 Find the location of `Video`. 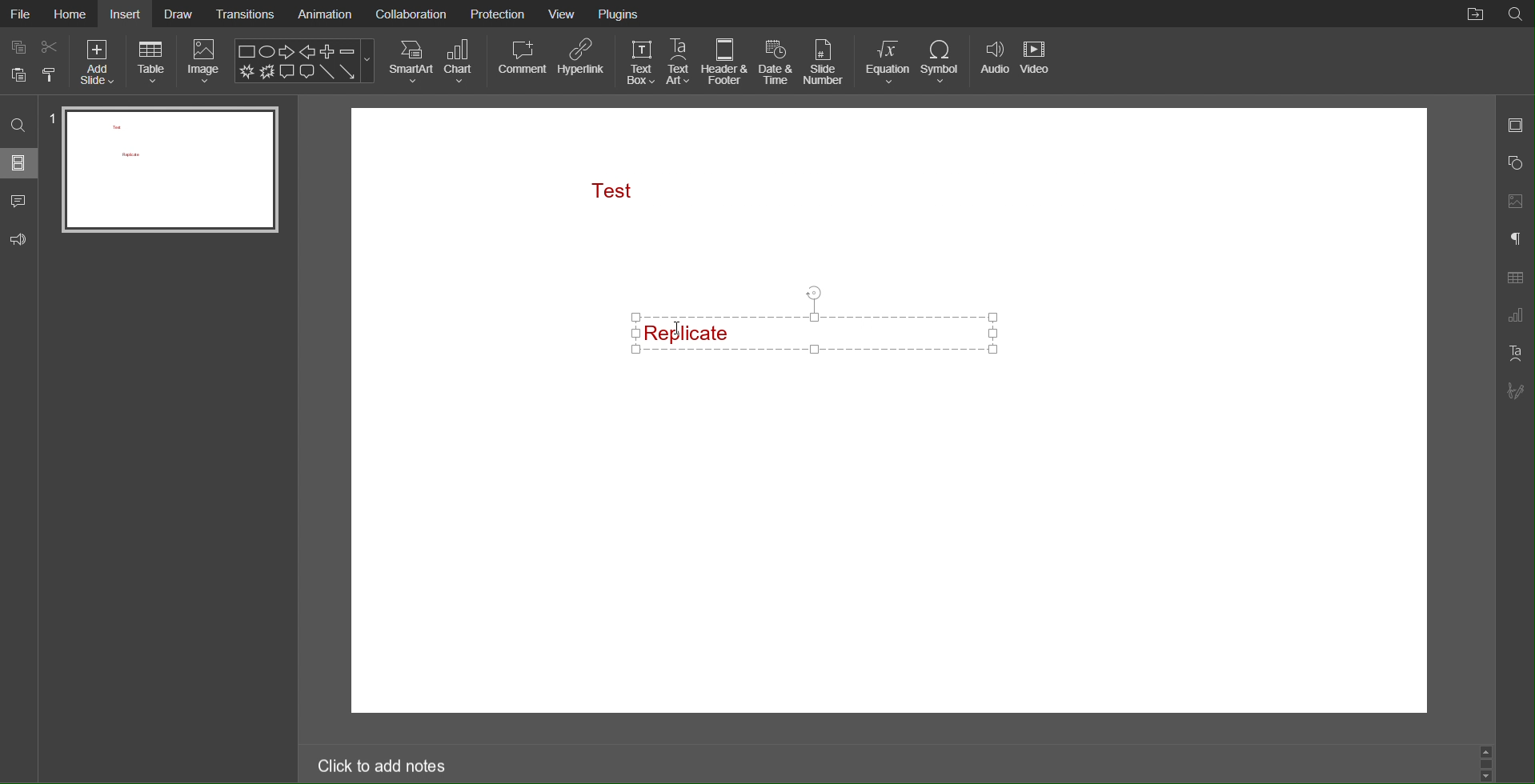

Video is located at coordinates (1037, 62).